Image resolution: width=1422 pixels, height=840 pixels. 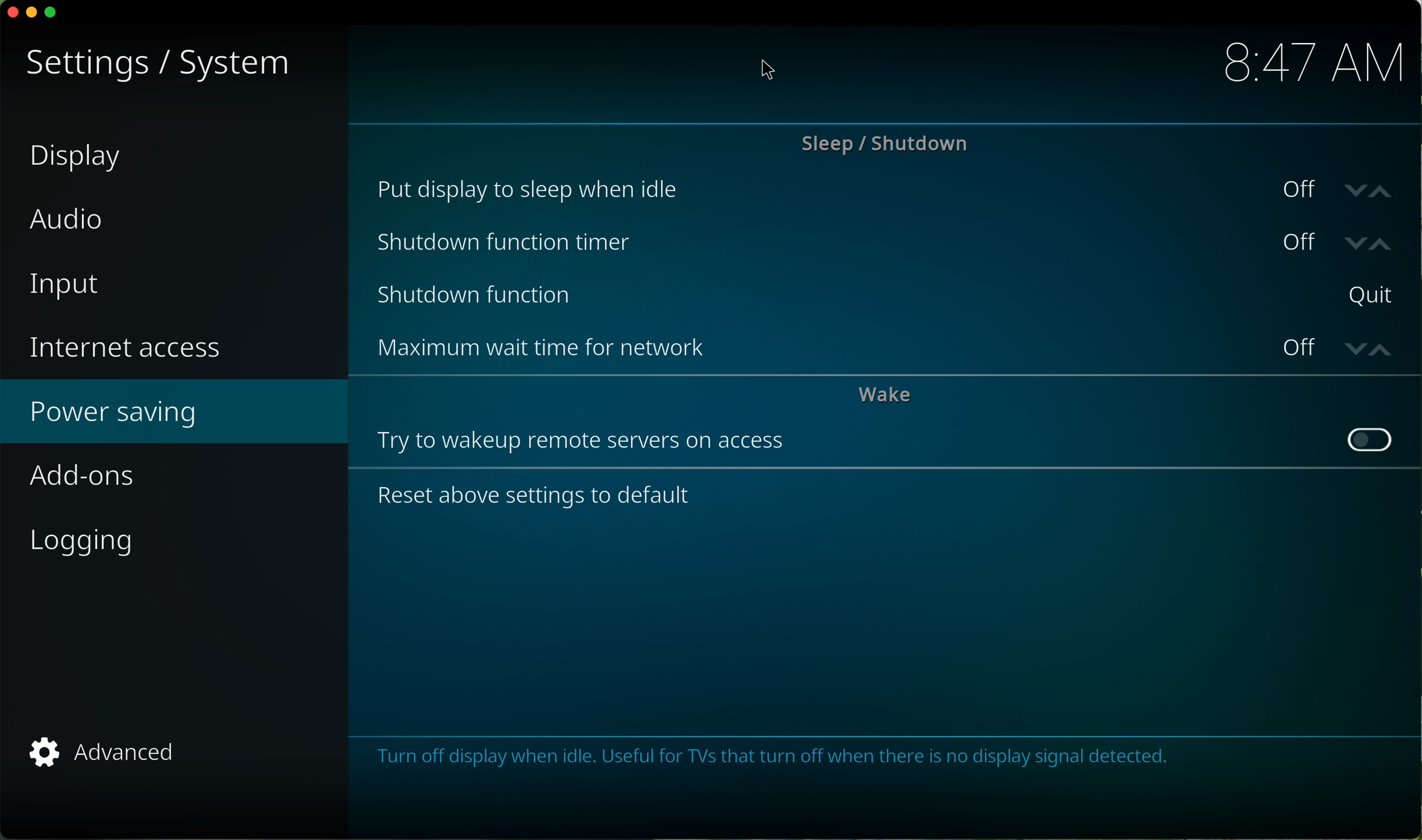 What do you see at coordinates (94, 64) in the screenshot?
I see `settings` at bounding box center [94, 64].